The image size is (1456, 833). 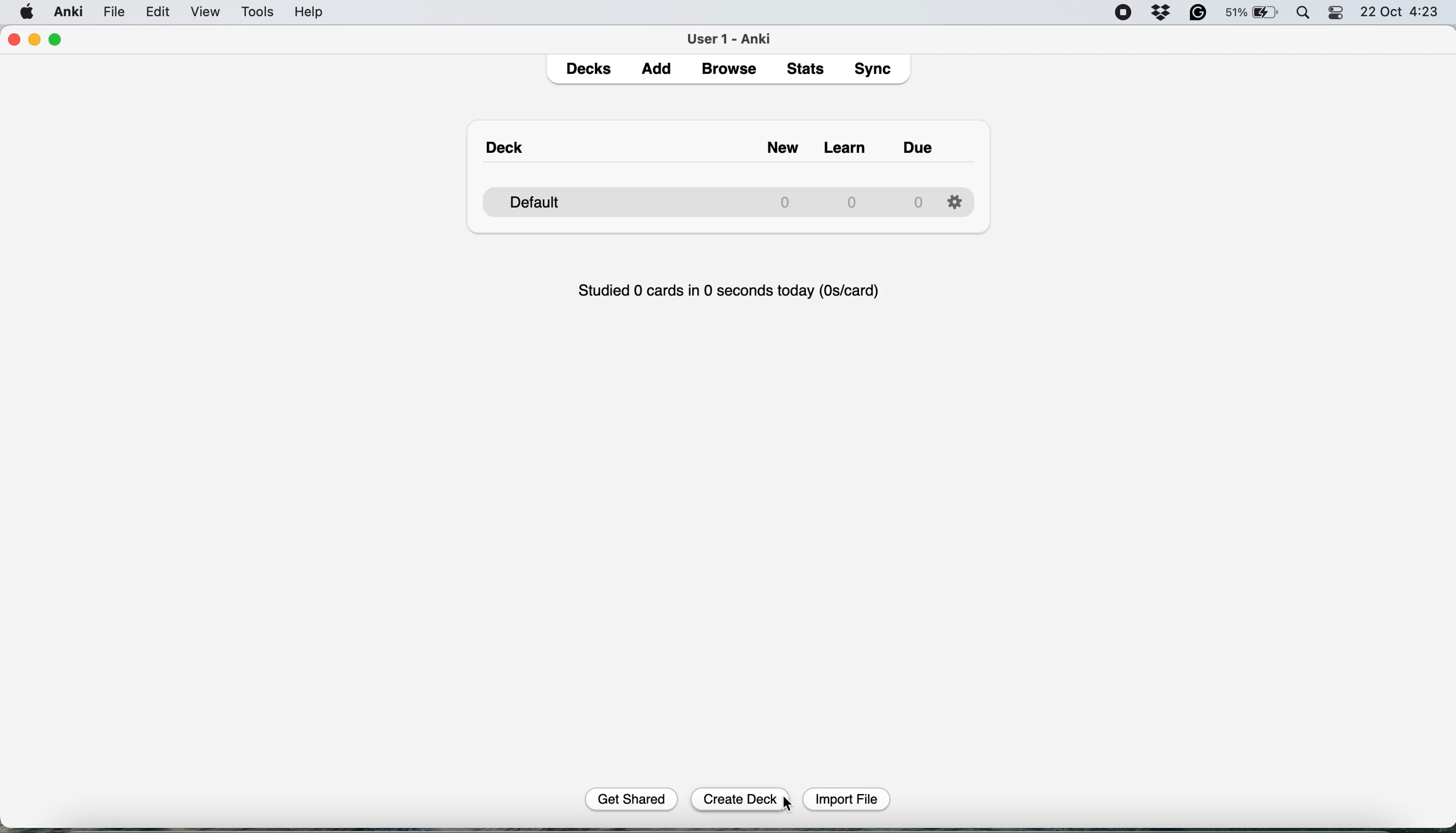 I want to click on file, so click(x=113, y=12).